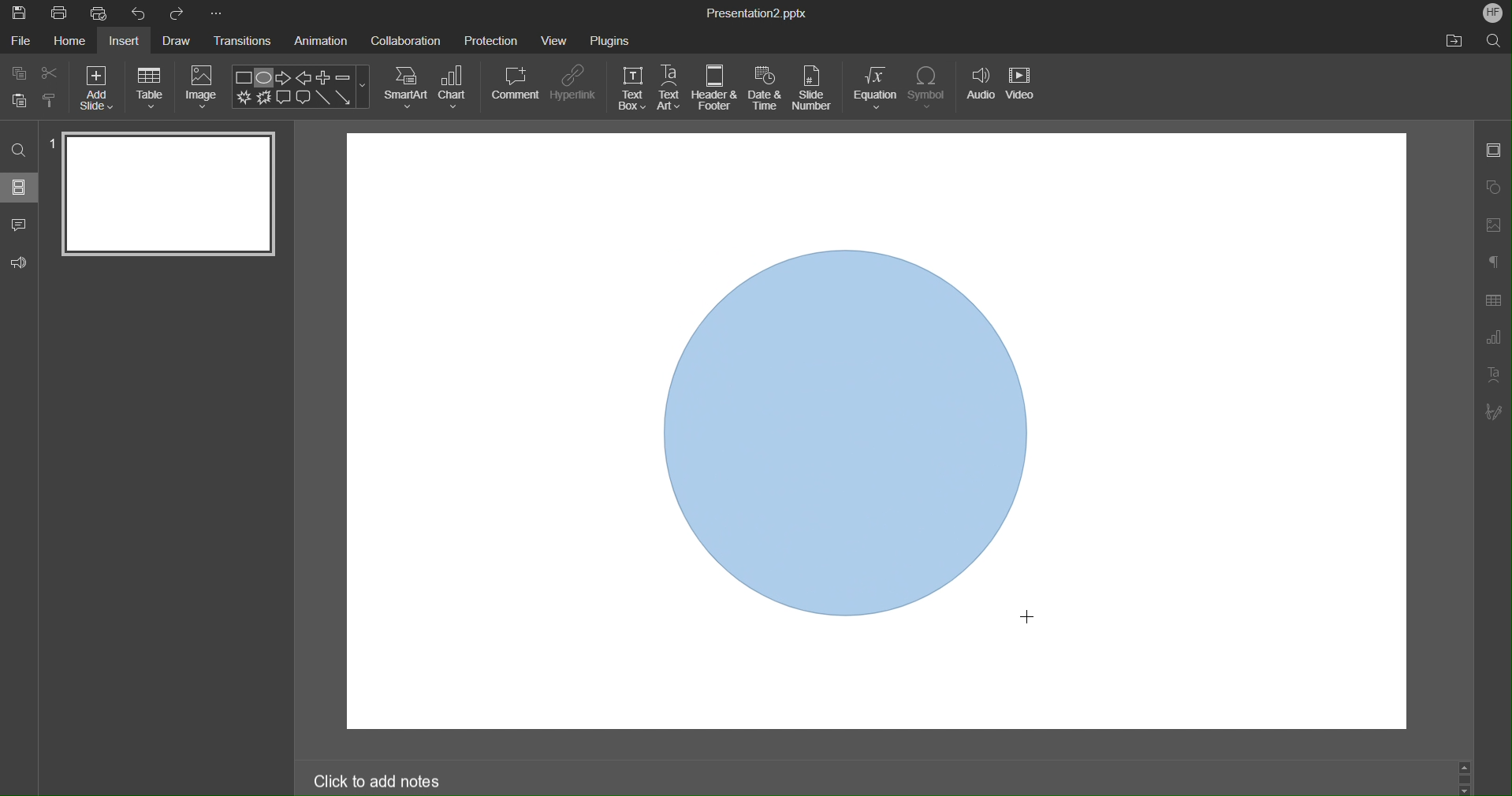 This screenshot has width=1512, height=796. I want to click on Date & Time, so click(765, 88).